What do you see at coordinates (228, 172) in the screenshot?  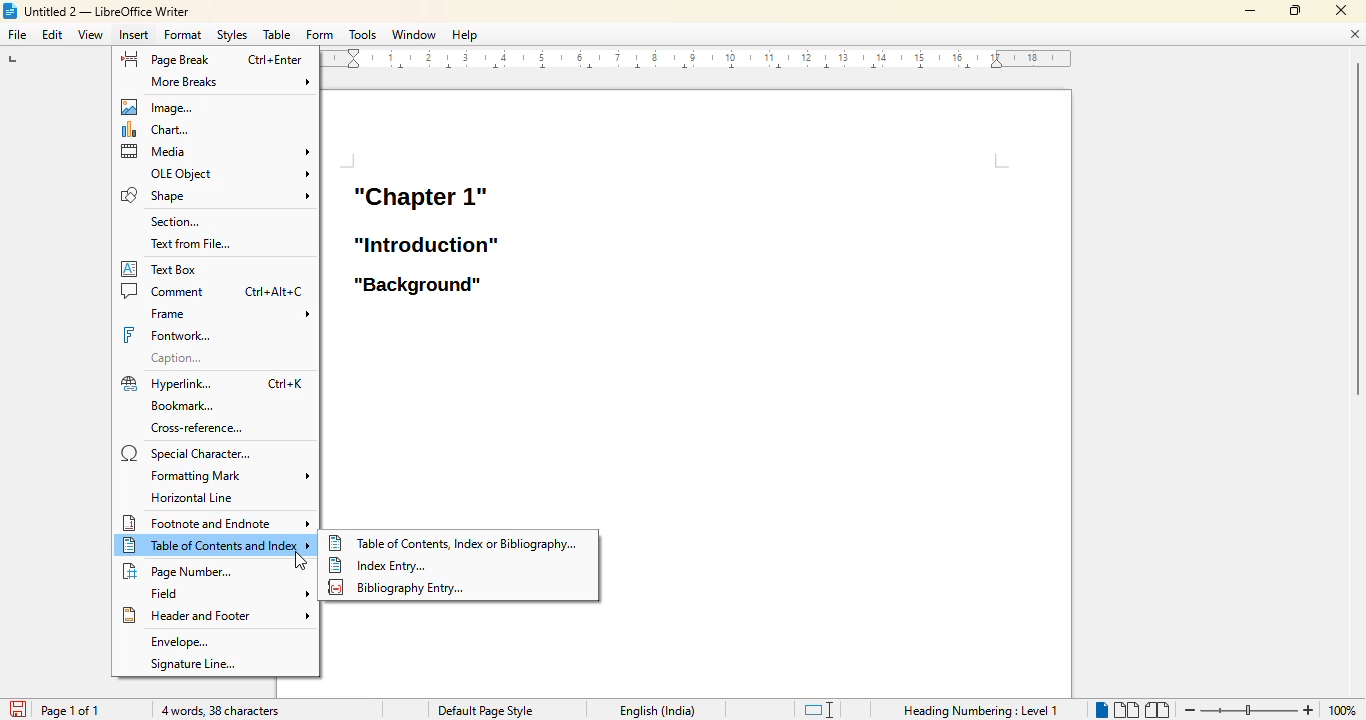 I see `OLE object` at bounding box center [228, 172].